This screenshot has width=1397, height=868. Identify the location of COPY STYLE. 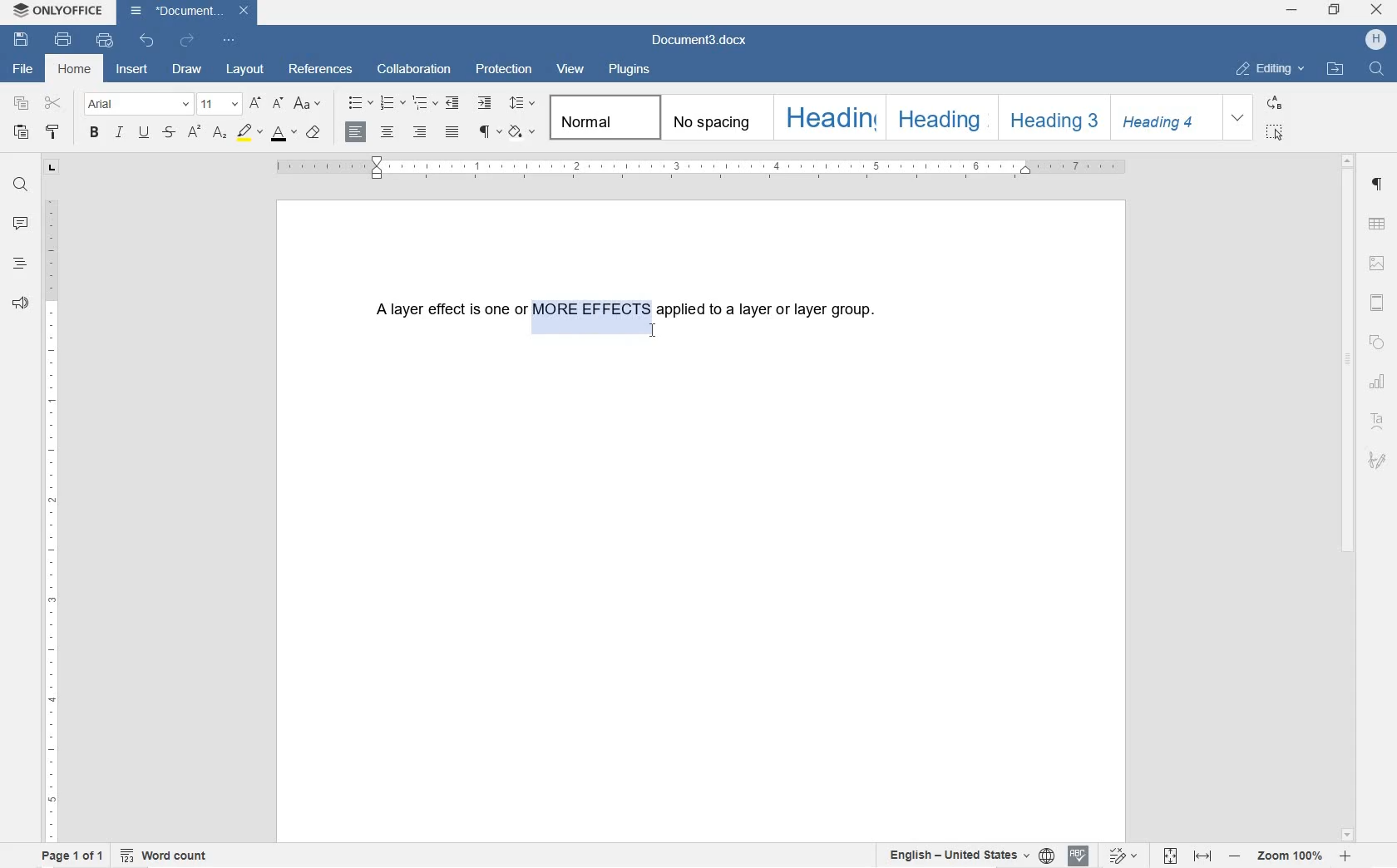
(54, 133).